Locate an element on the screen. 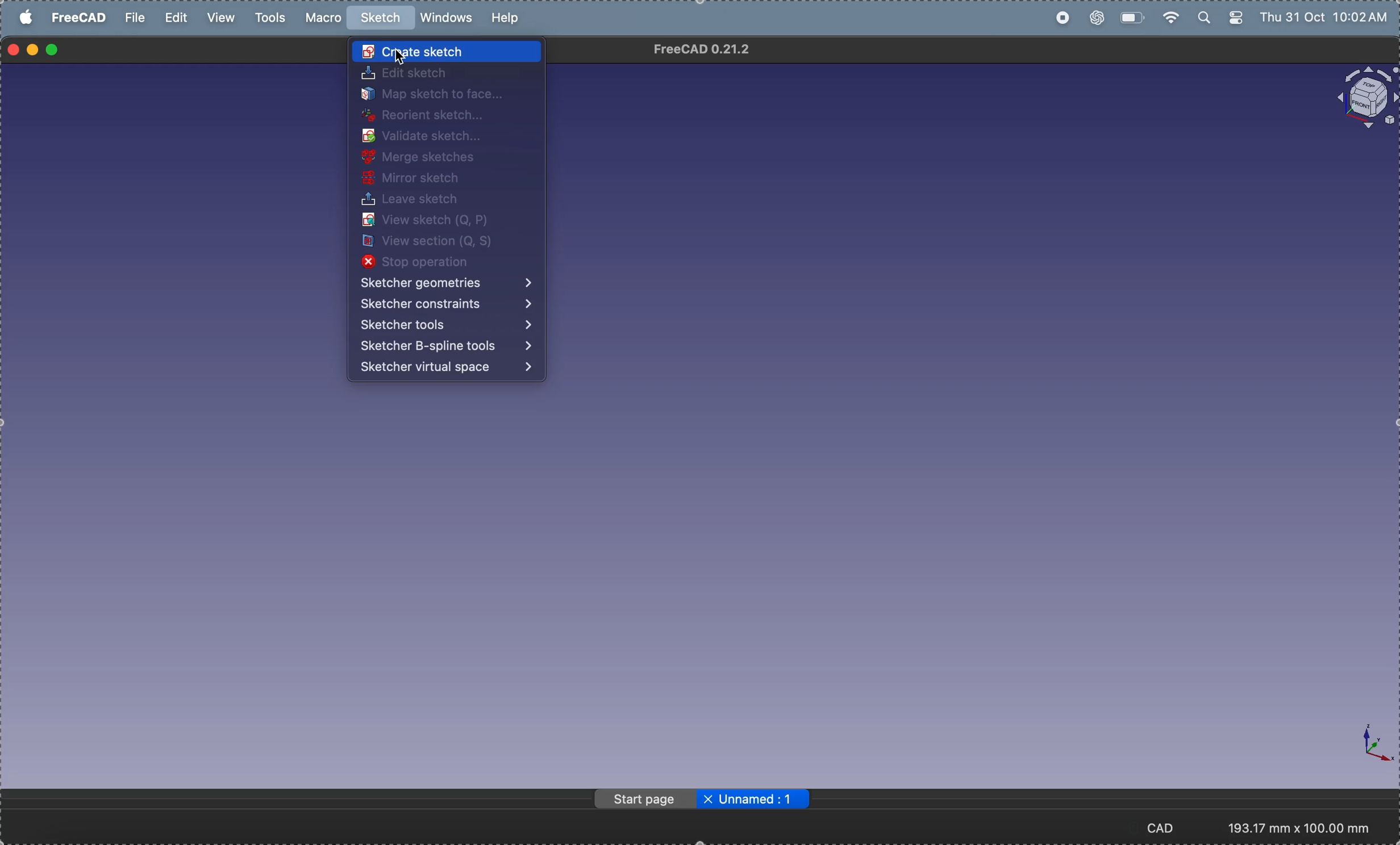  sketcher Bspline is located at coordinates (446, 345).